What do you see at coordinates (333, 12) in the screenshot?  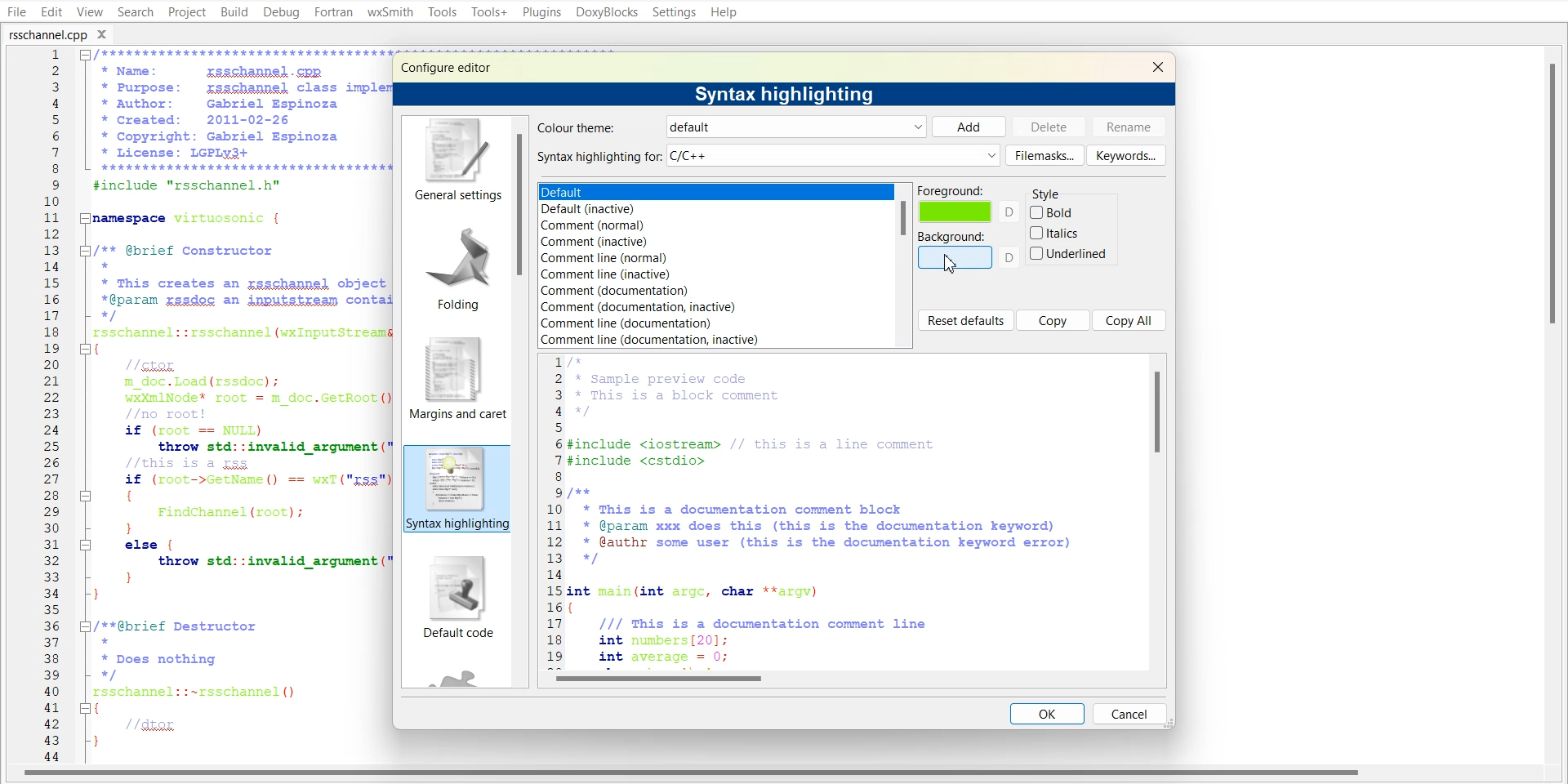 I see `Fortran` at bounding box center [333, 12].